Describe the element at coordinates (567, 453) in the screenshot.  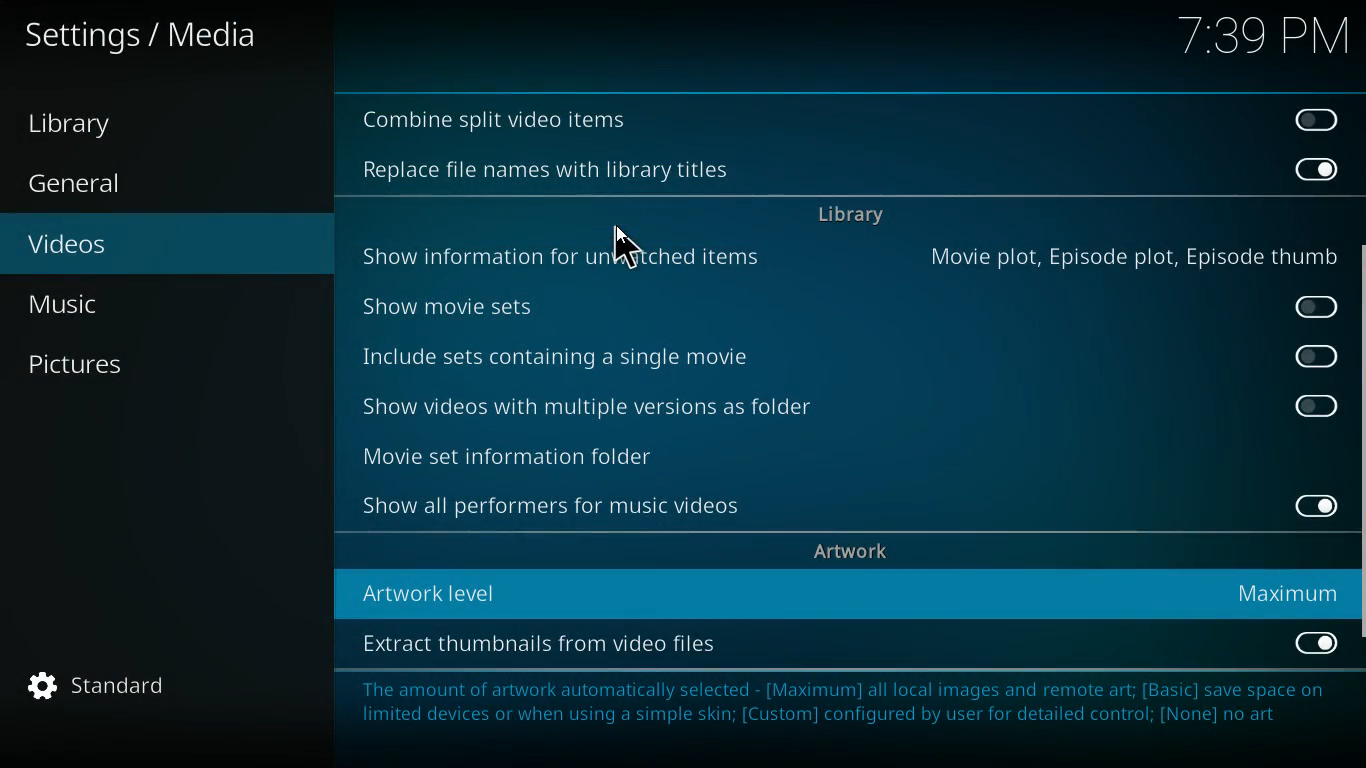
I see `movie set information` at that location.